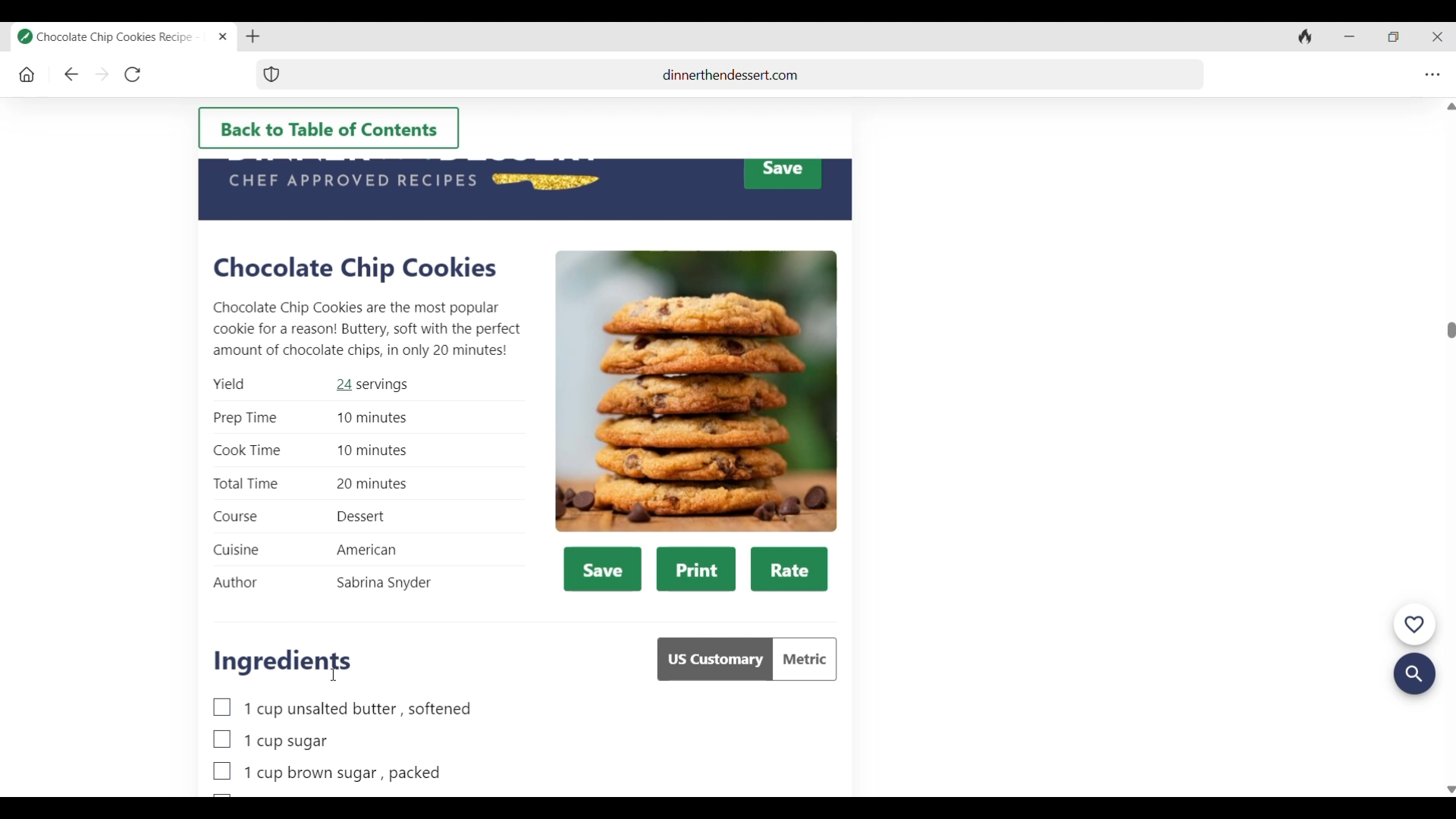  What do you see at coordinates (283, 662) in the screenshot?
I see `Ingredients` at bounding box center [283, 662].